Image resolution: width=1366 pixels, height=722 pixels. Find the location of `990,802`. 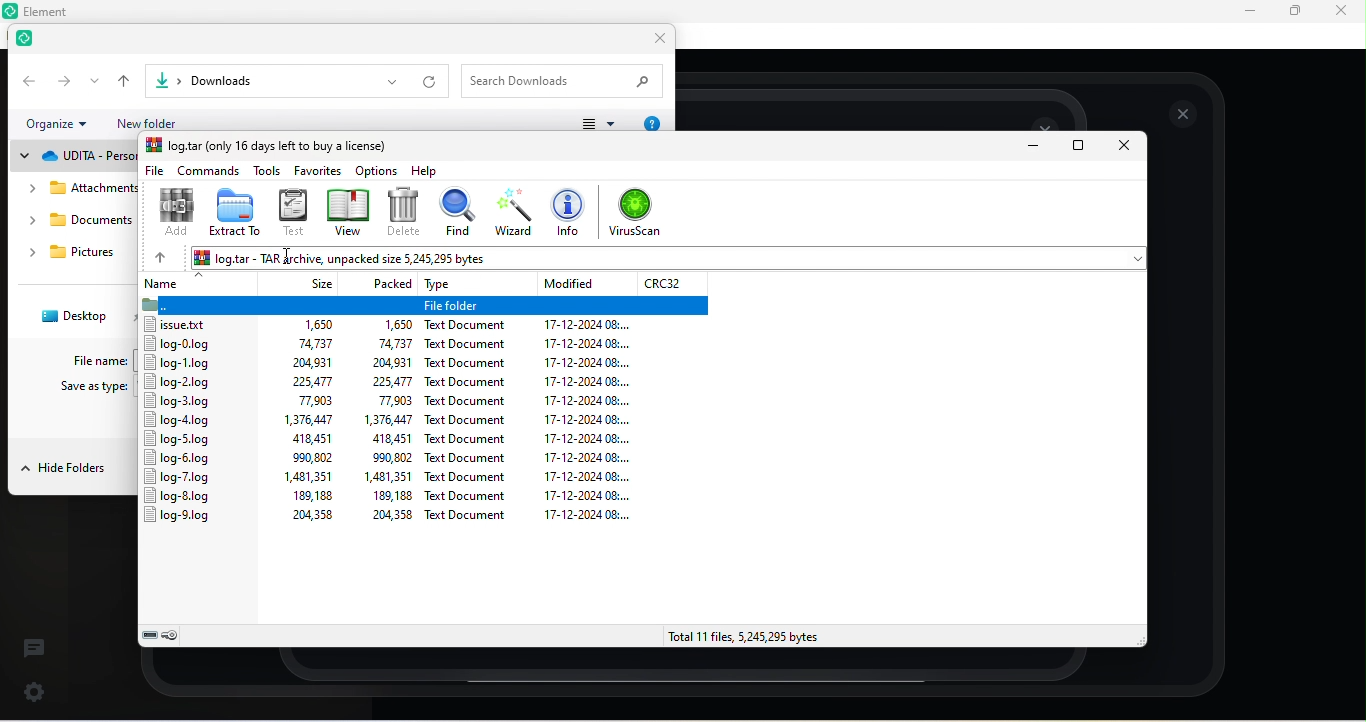

990,802 is located at coordinates (391, 457).